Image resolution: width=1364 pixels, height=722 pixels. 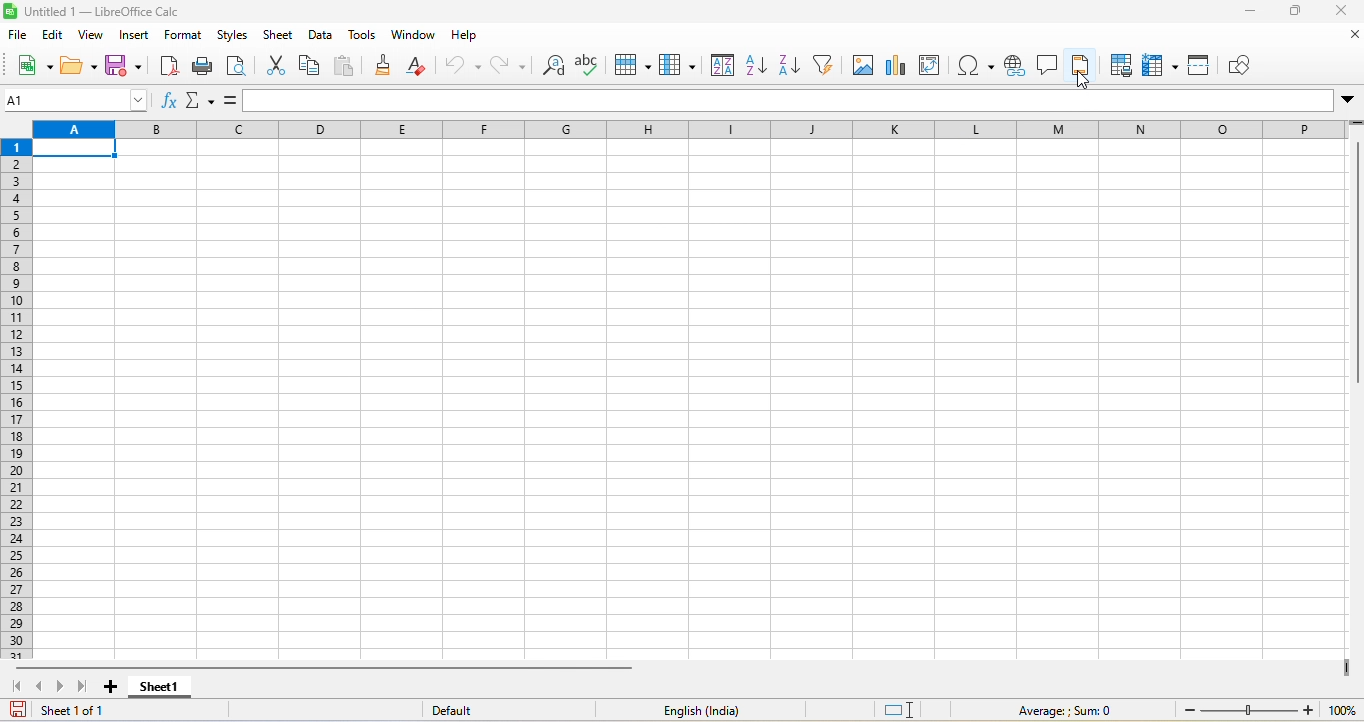 What do you see at coordinates (796, 101) in the screenshot?
I see `formula bar` at bounding box center [796, 101].